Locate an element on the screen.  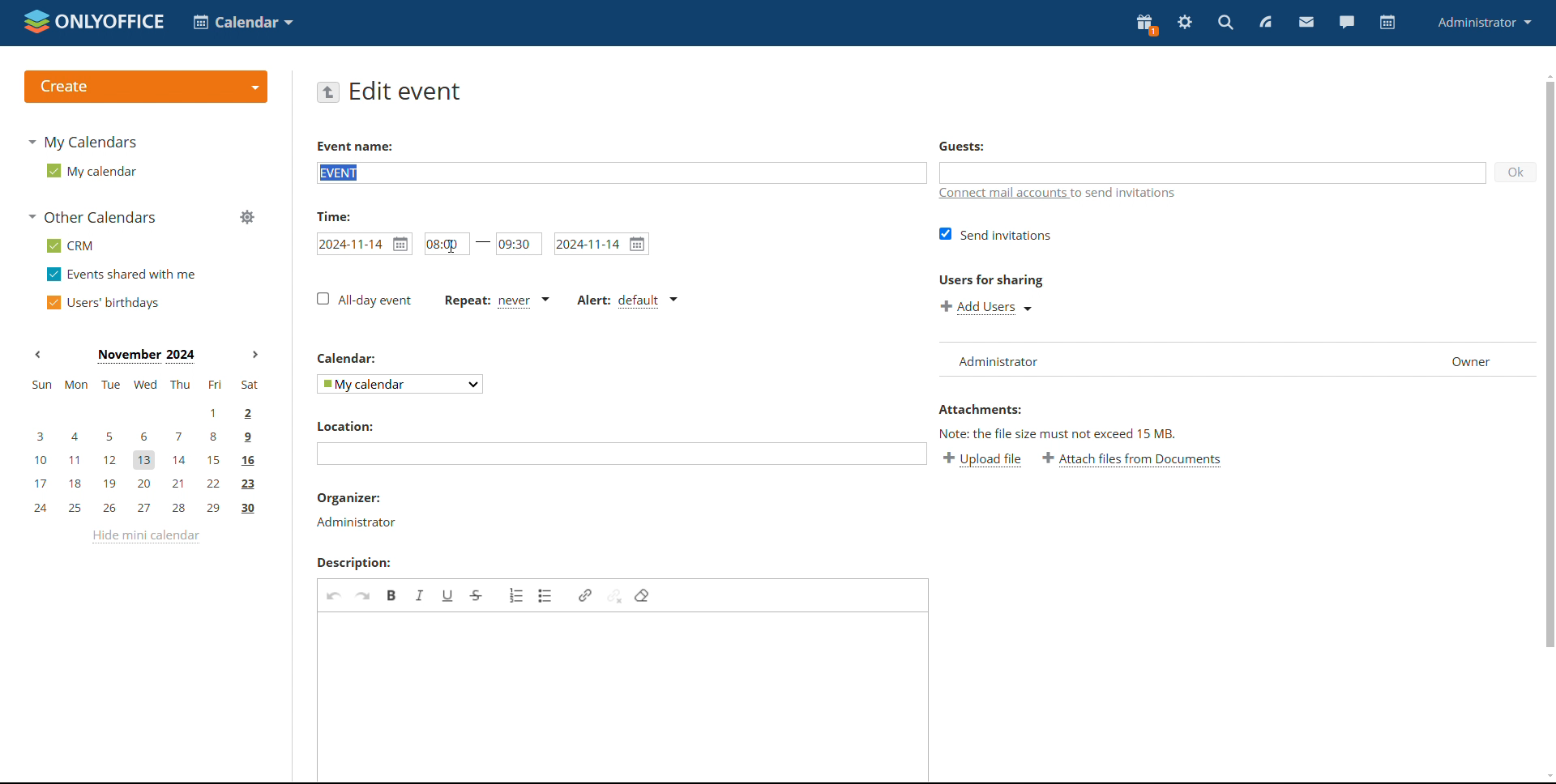
connect mail accounts is located at coordinates (1059, 195).